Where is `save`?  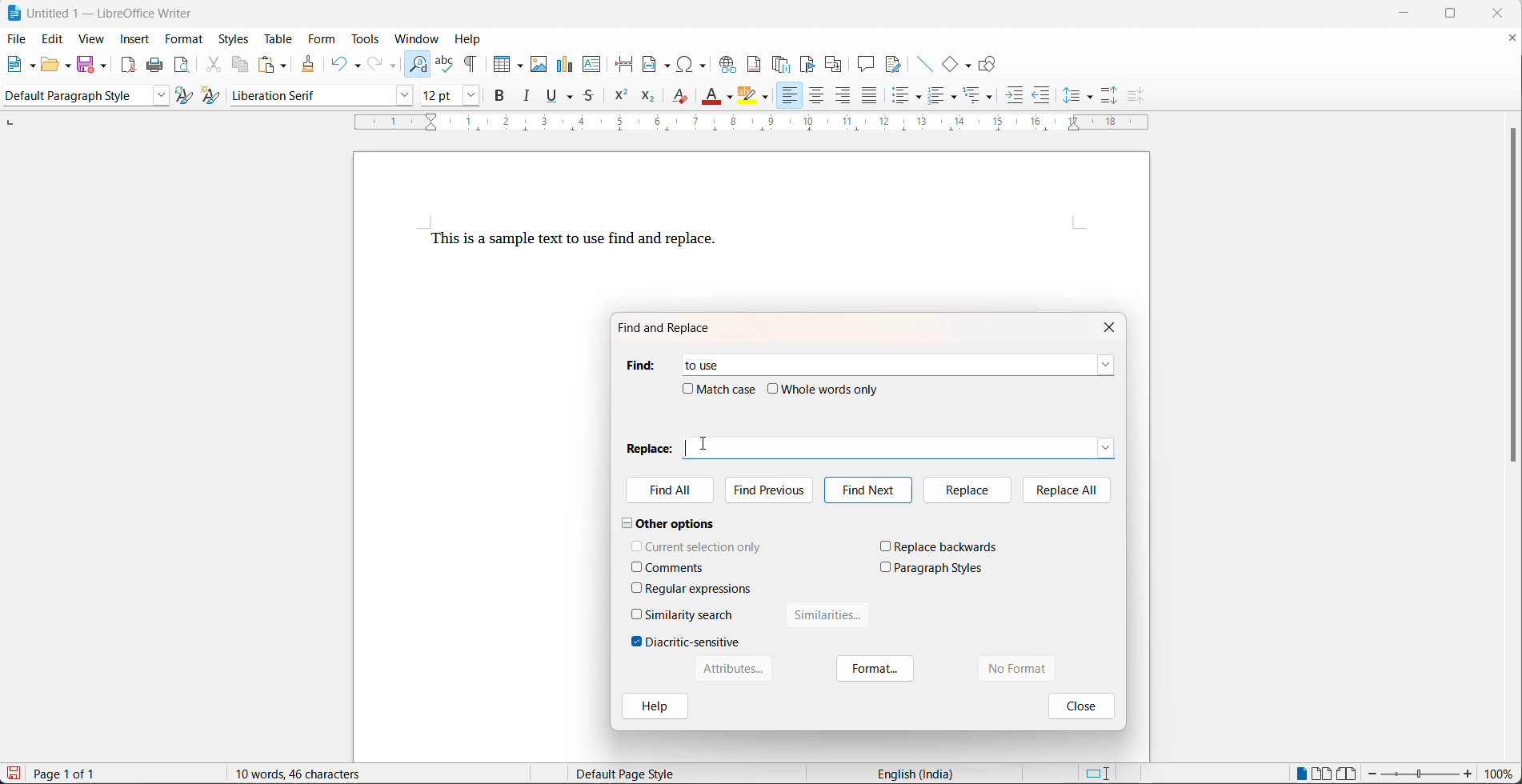 save is located at coordinates (86, 63).